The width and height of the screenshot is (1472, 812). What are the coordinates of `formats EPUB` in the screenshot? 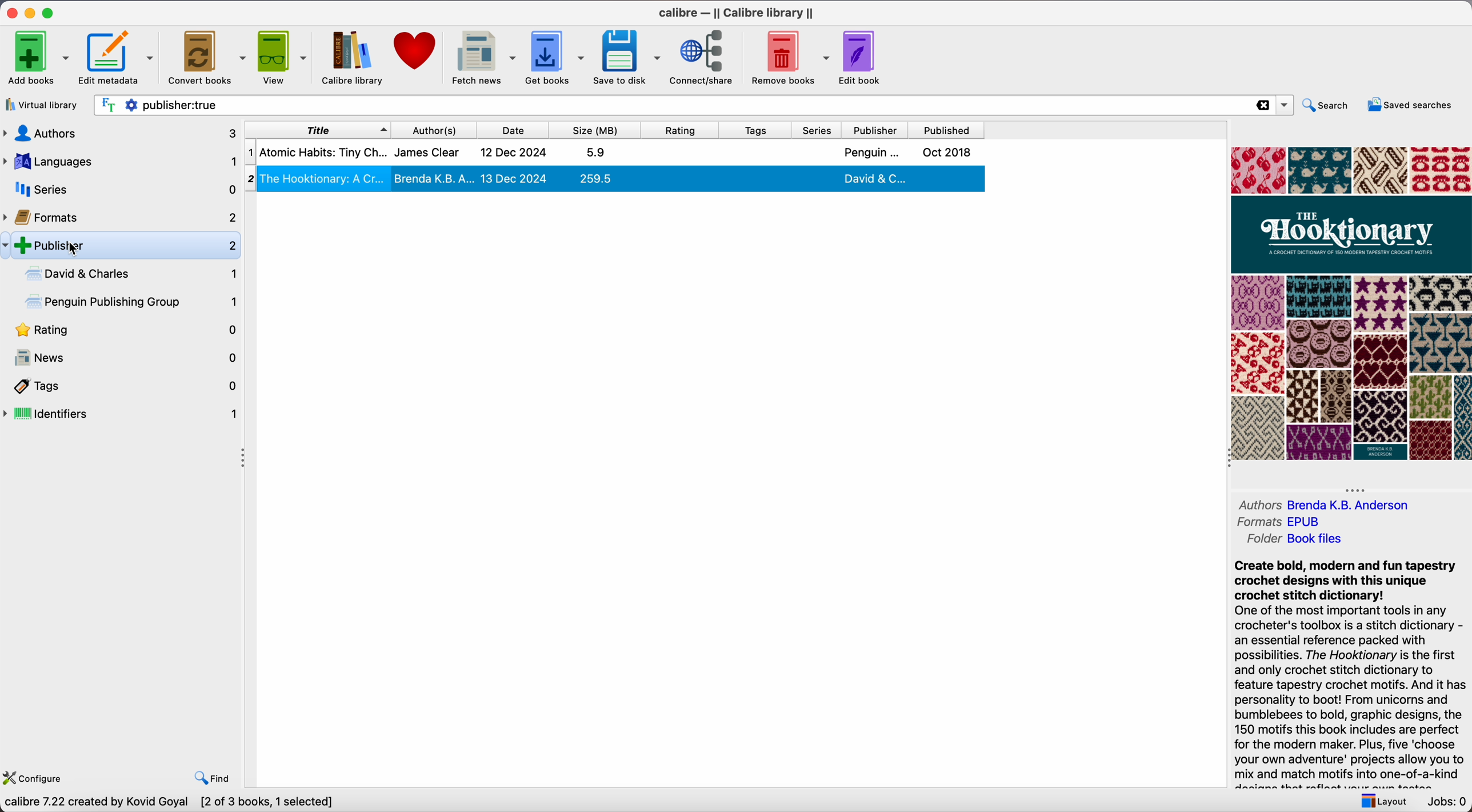 It's located at (1284, 521).